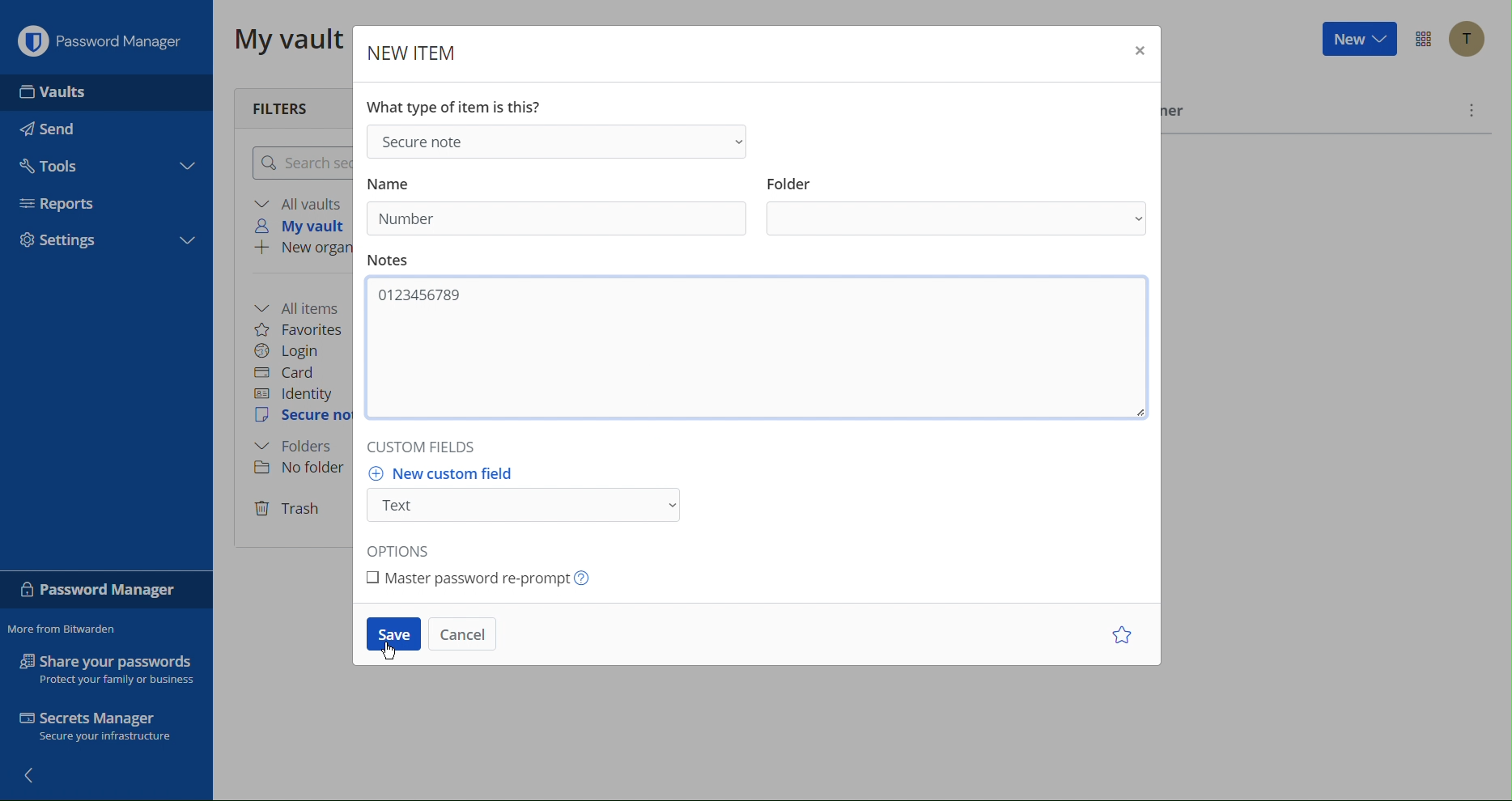 This screenshot has width=1512, height=801. Describe the element at coordinates (406, 218) in the screenshot. I see `Number` at that location.